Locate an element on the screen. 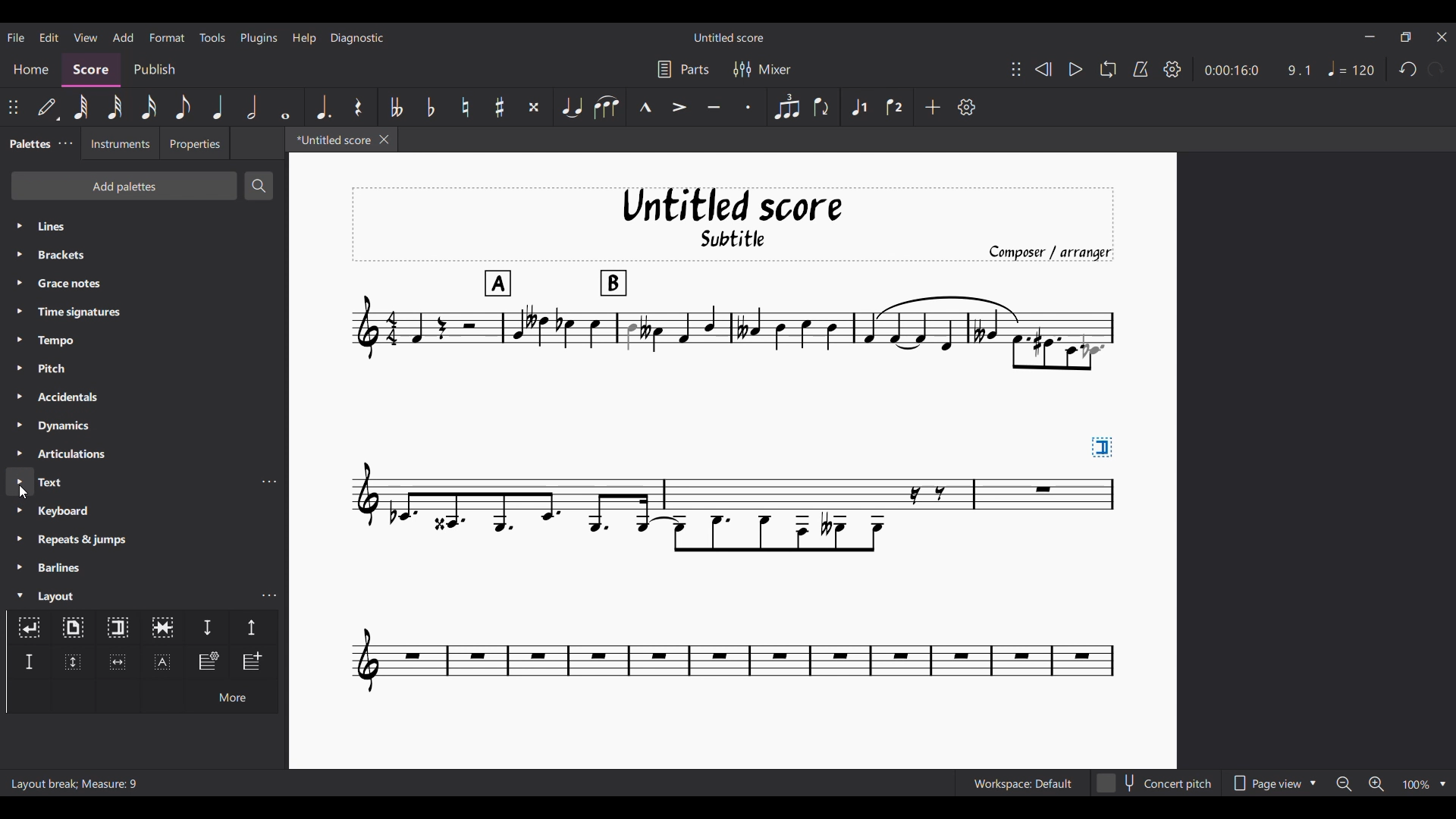 Image resolution: width=1456 pixels, height=819 pixels. Text, highlighted by cursor is located at coordinates (130, 482).